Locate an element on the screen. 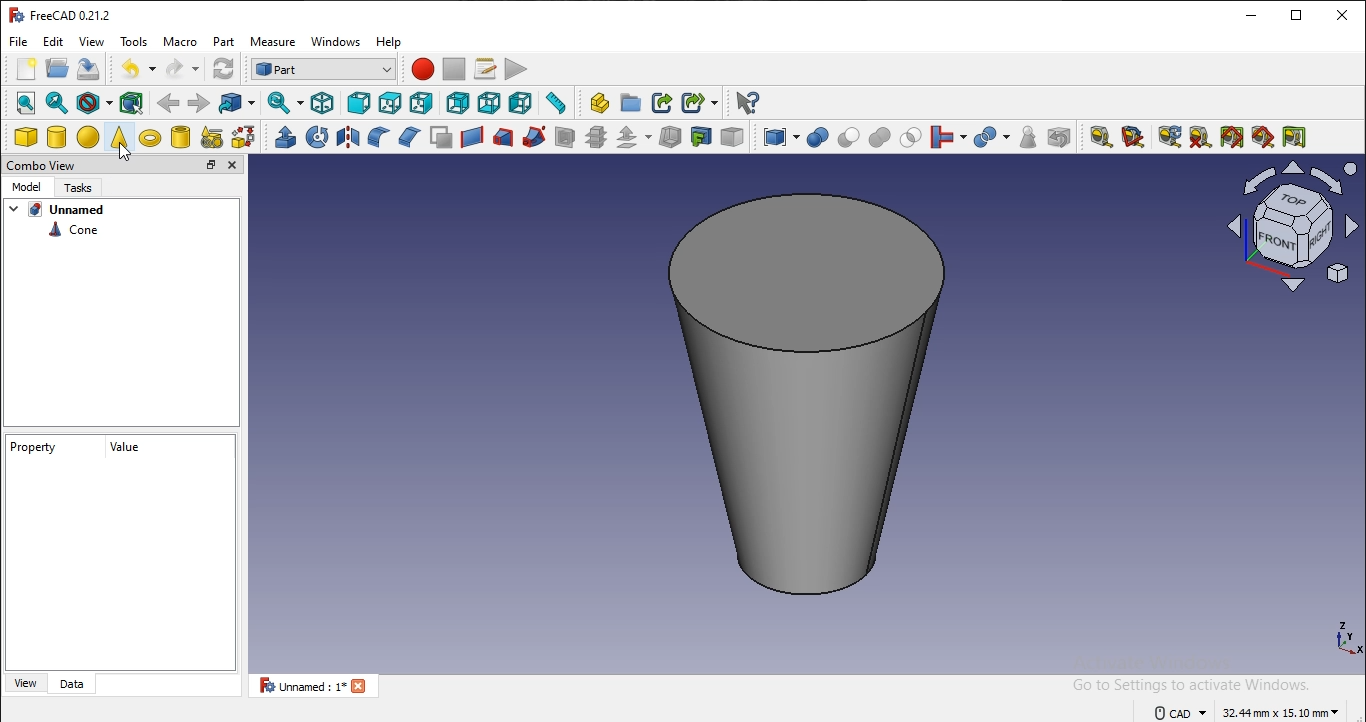 The height and width of the screenshot is (722, 1366). create tube is located at coordinates (179, 136).